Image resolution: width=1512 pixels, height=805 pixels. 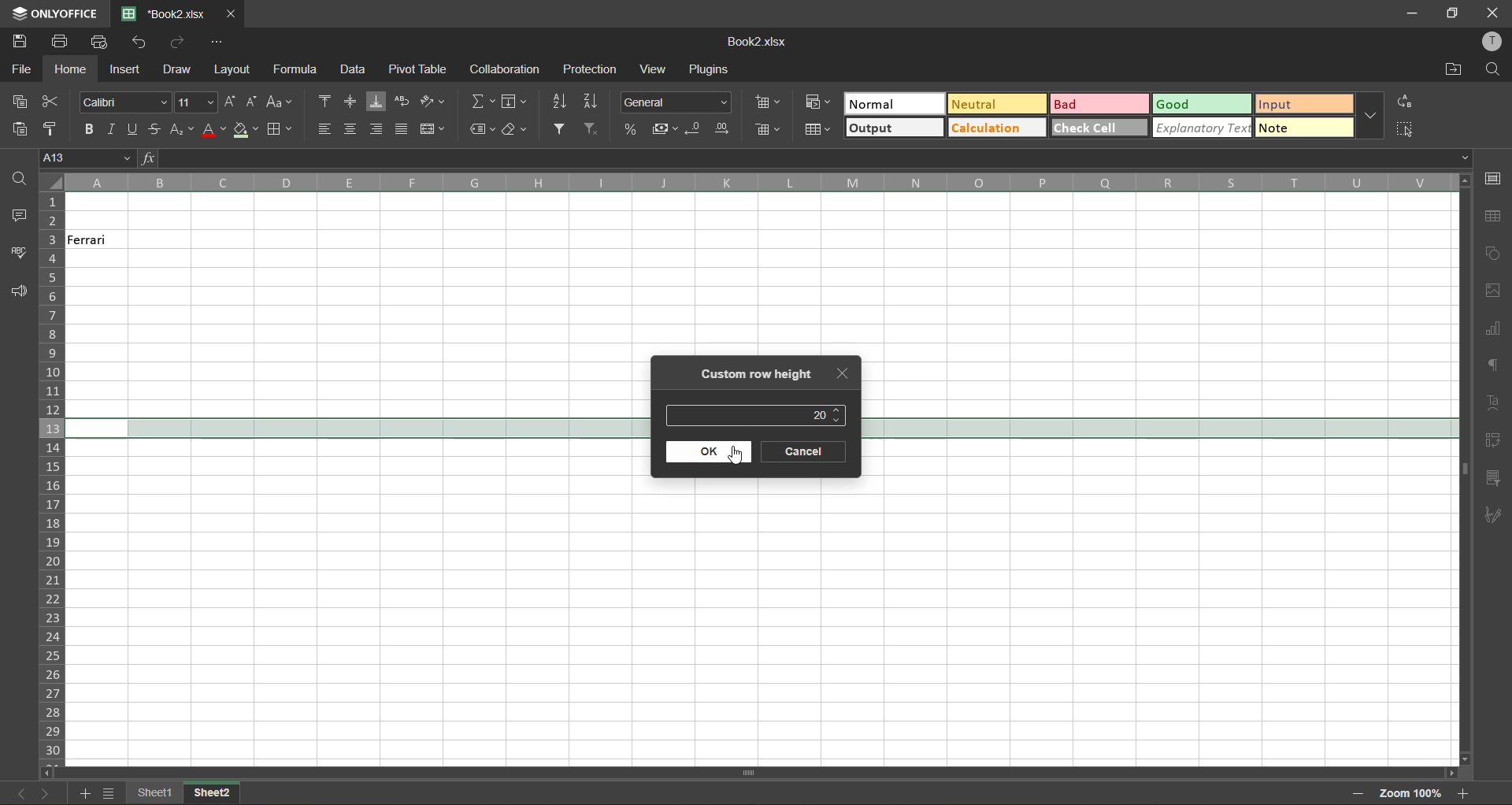 What do you see at coordinates (278, 130) in the screenshot?
I see `borders` at bounding box center [278, 130].